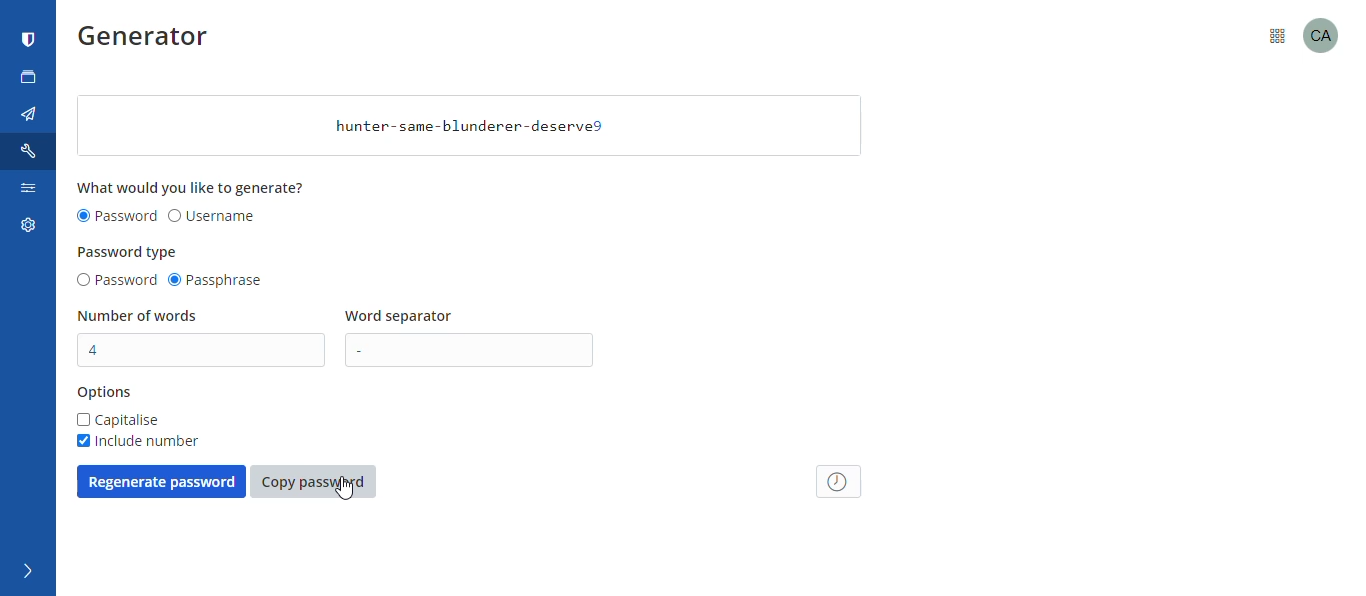 This screenshot has width=1366, height=596. What do you see at coordinates (105, 393) in the screenshot?
I see `options` at bounding box center [105, 393].